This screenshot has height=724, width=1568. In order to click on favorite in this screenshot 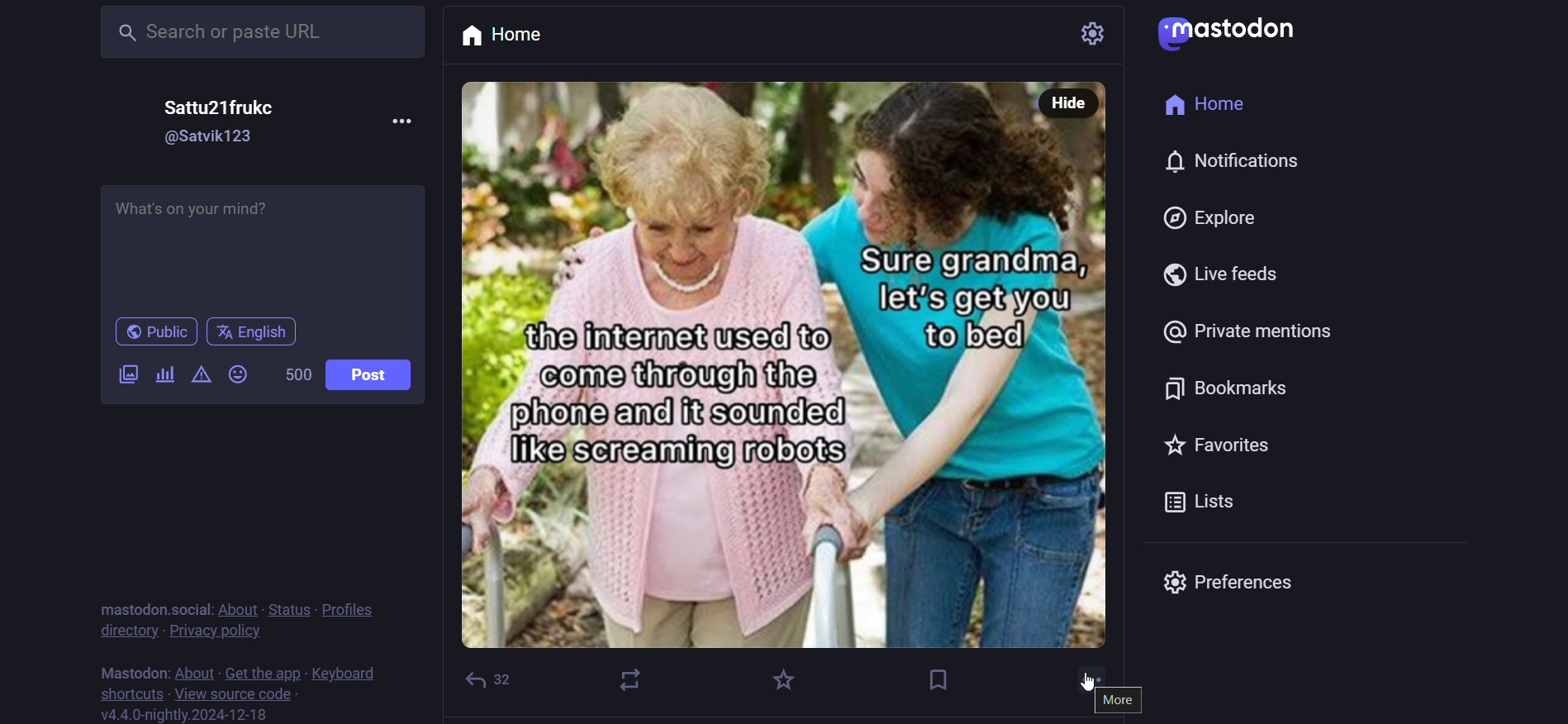, I will do `click(786, 675)`.